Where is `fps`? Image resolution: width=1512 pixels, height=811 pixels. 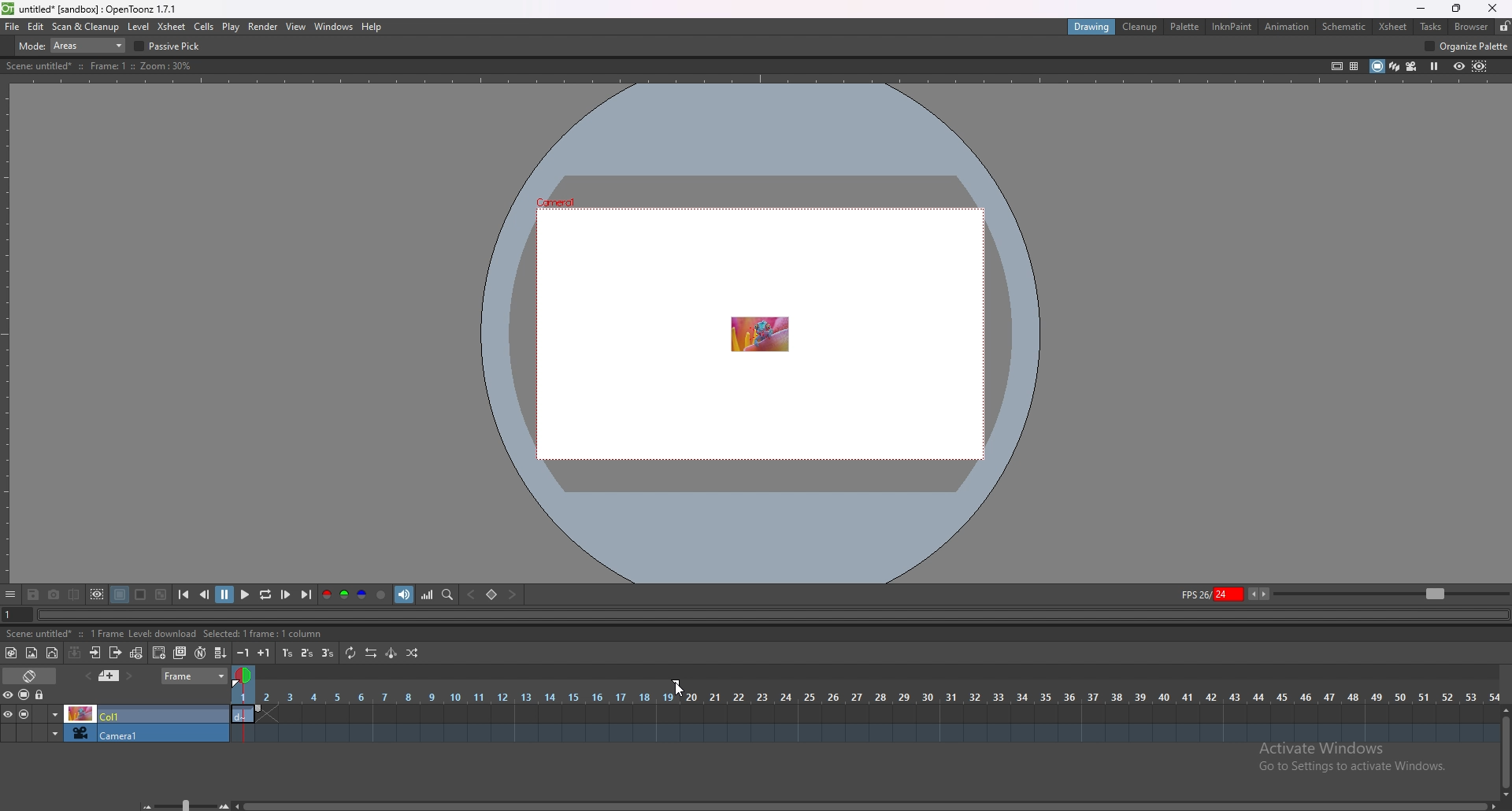 fps is located at coordinates (1225, 594).